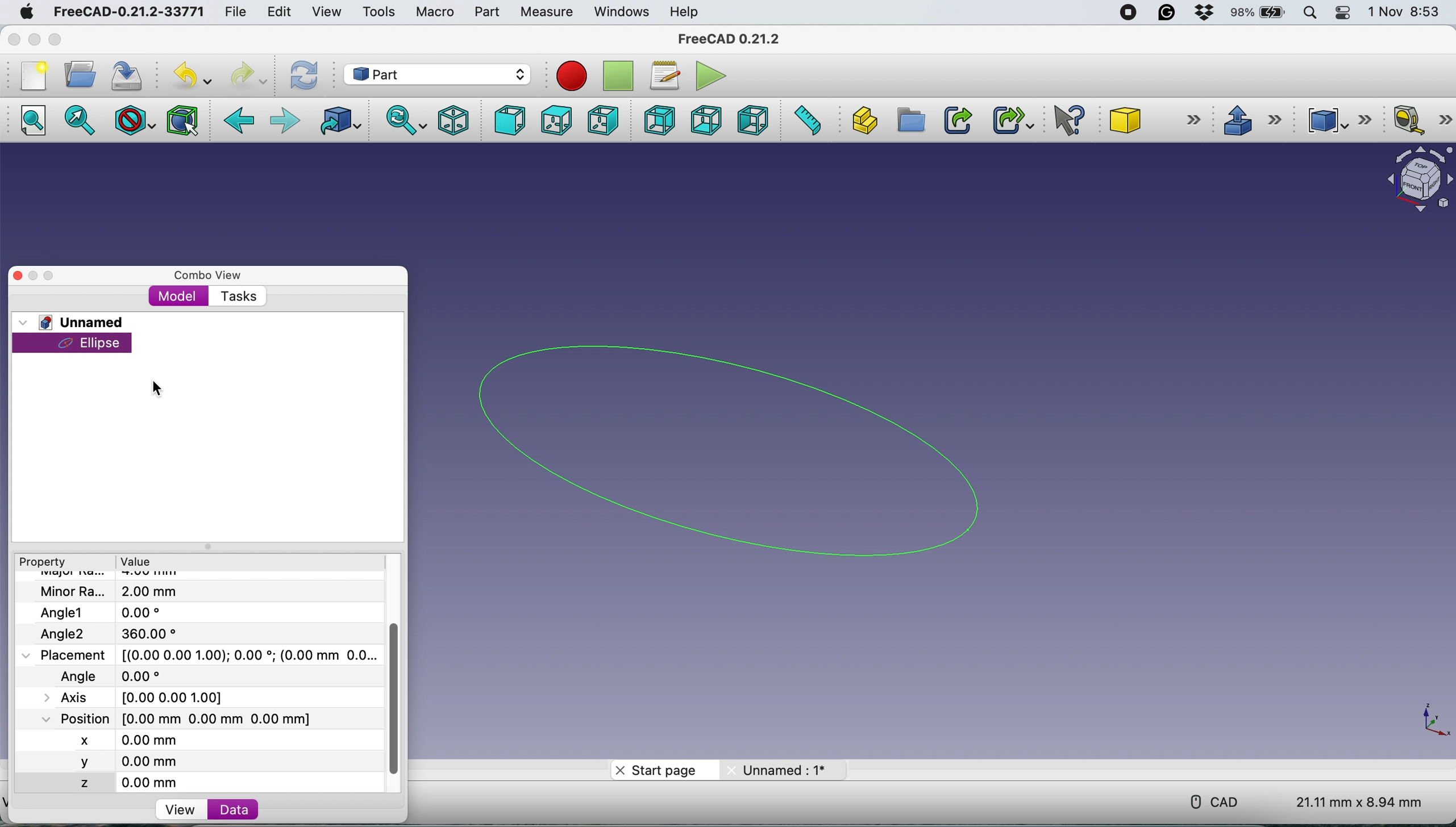 This screenshot has width=1456, height=827. What do you see at coordinates (751, 448) in the screenshot?
I see `ellipse` at bounding box center [751, 448].